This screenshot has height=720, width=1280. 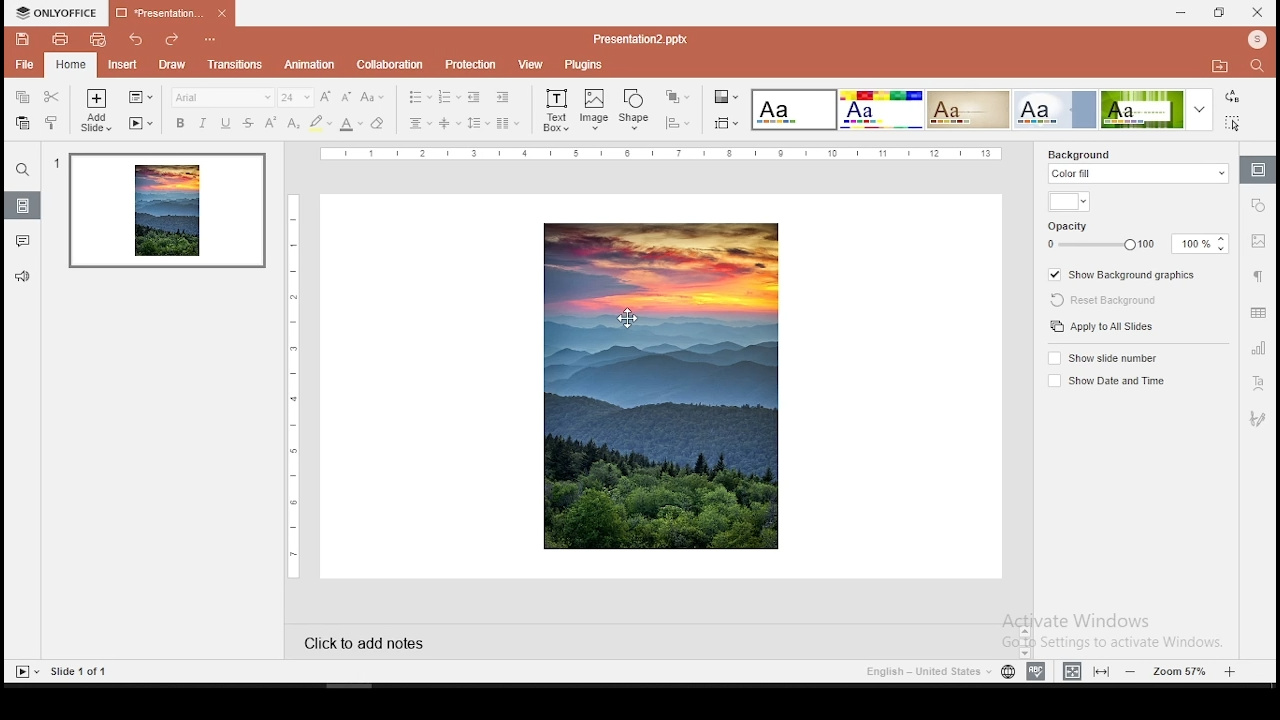 What do you see at coordinates (1257, 241) in the screenshot?
I see `image settings` at bounding box center [1257, 241].